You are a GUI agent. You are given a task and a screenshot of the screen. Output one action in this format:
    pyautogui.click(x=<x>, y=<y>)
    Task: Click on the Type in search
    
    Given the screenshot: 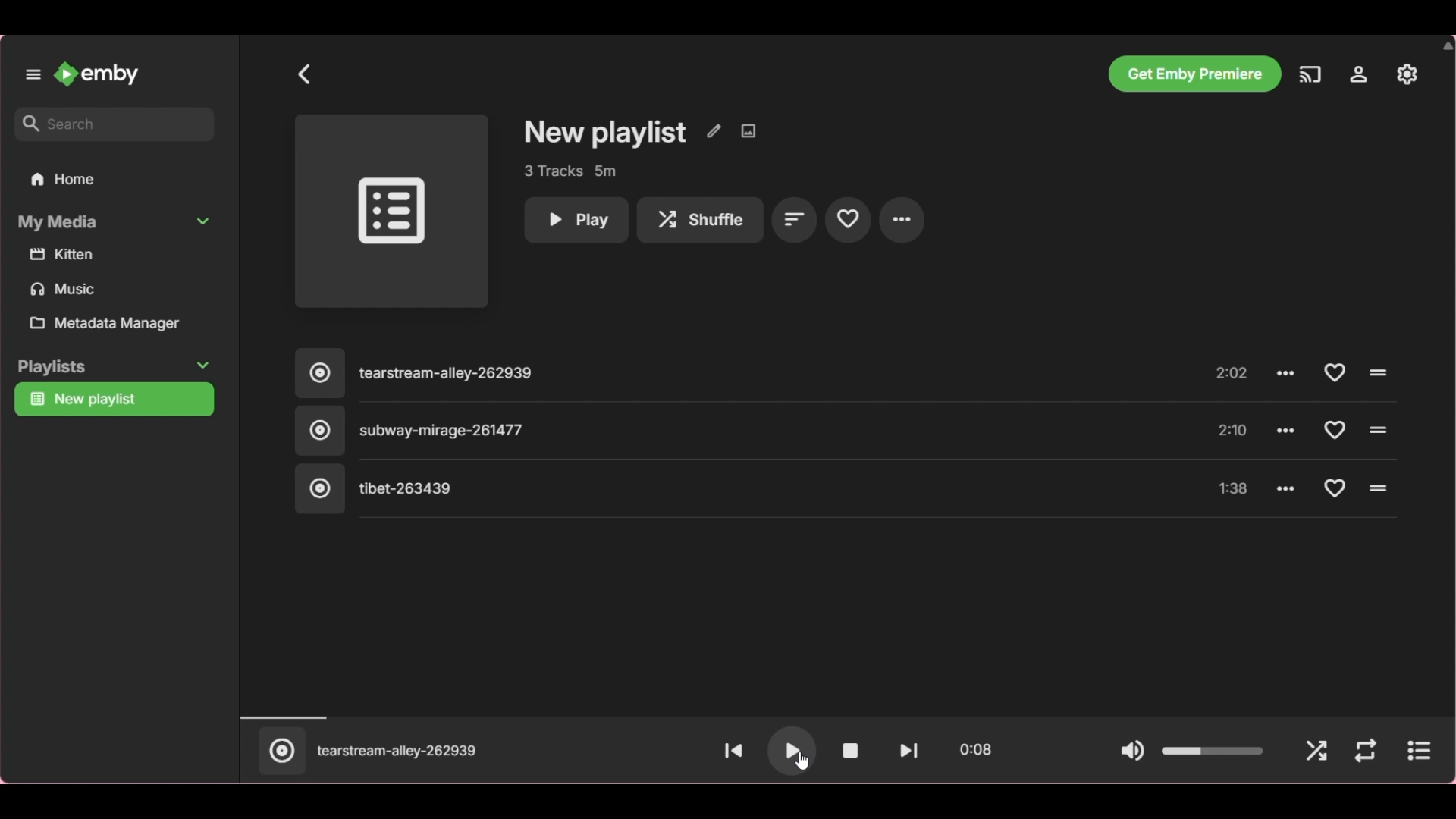 What is the action you would take?
    pyautogui.click(x=114, y=124)
    